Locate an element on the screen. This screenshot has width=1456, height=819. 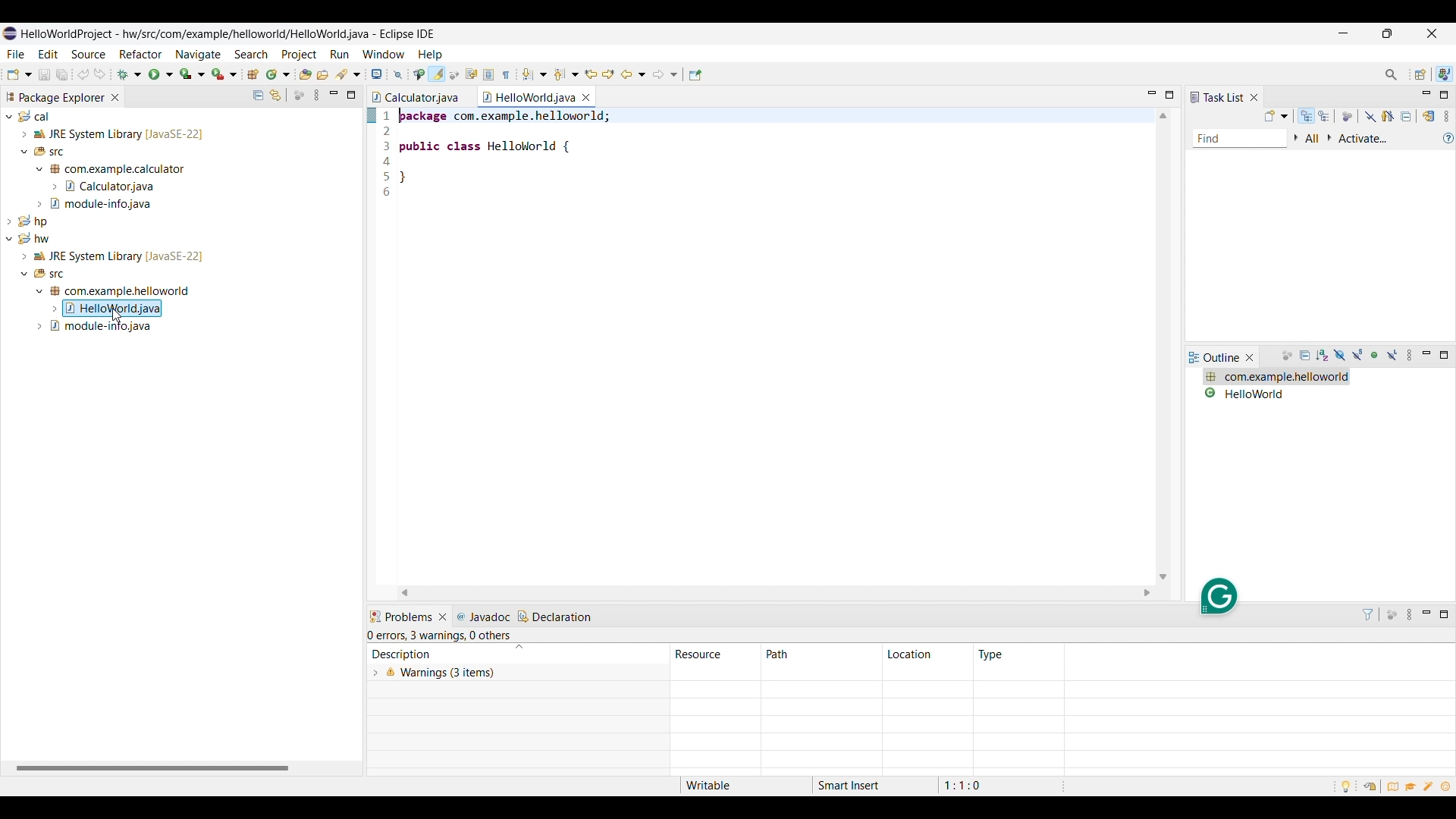
Problems tab is located at coordinates (400, 617).